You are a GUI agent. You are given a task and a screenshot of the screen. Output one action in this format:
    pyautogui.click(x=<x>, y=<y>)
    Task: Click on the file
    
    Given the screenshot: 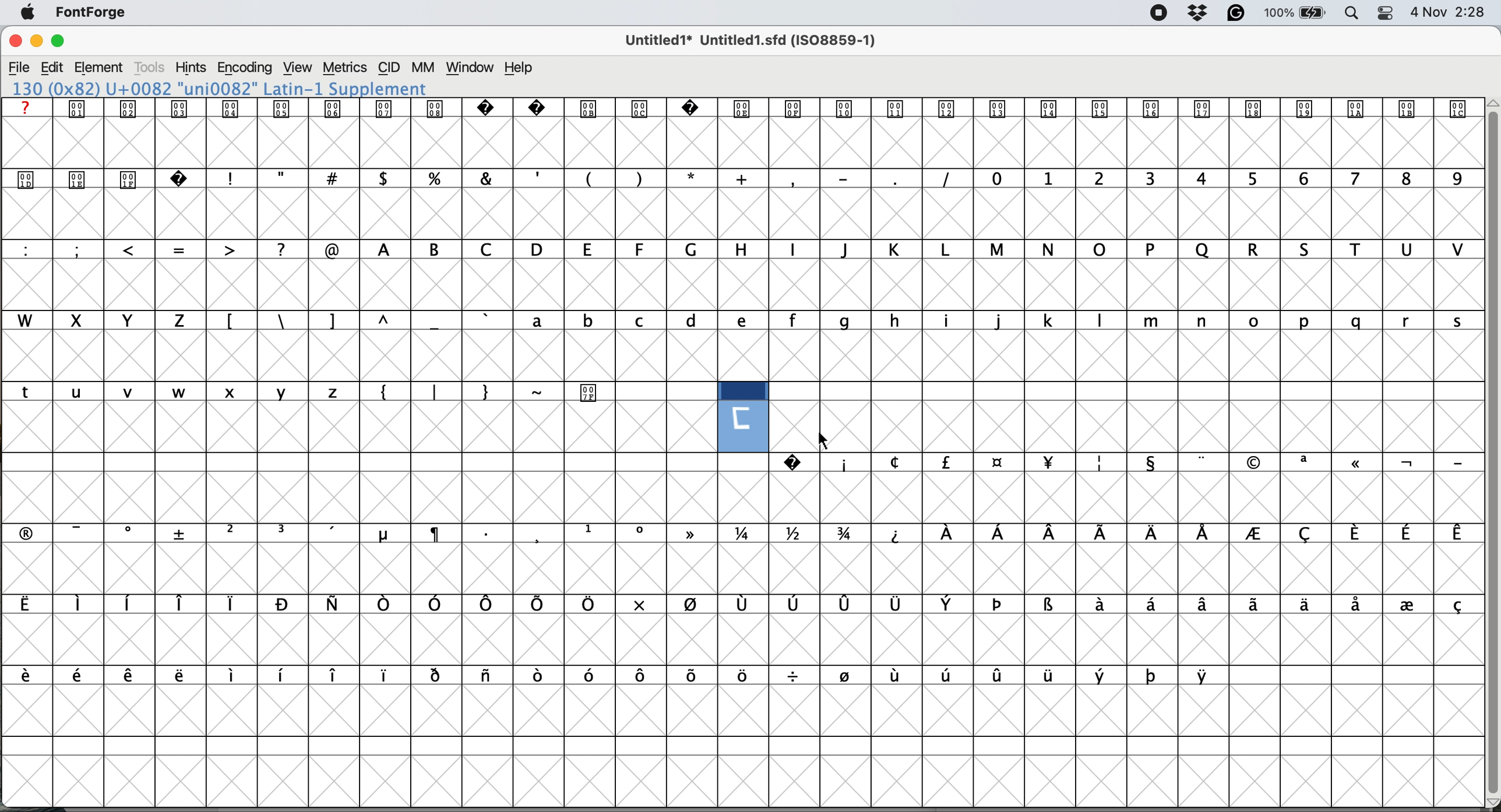 What is the action you would take?
    pyautogui.click(x=20, y=68)
    